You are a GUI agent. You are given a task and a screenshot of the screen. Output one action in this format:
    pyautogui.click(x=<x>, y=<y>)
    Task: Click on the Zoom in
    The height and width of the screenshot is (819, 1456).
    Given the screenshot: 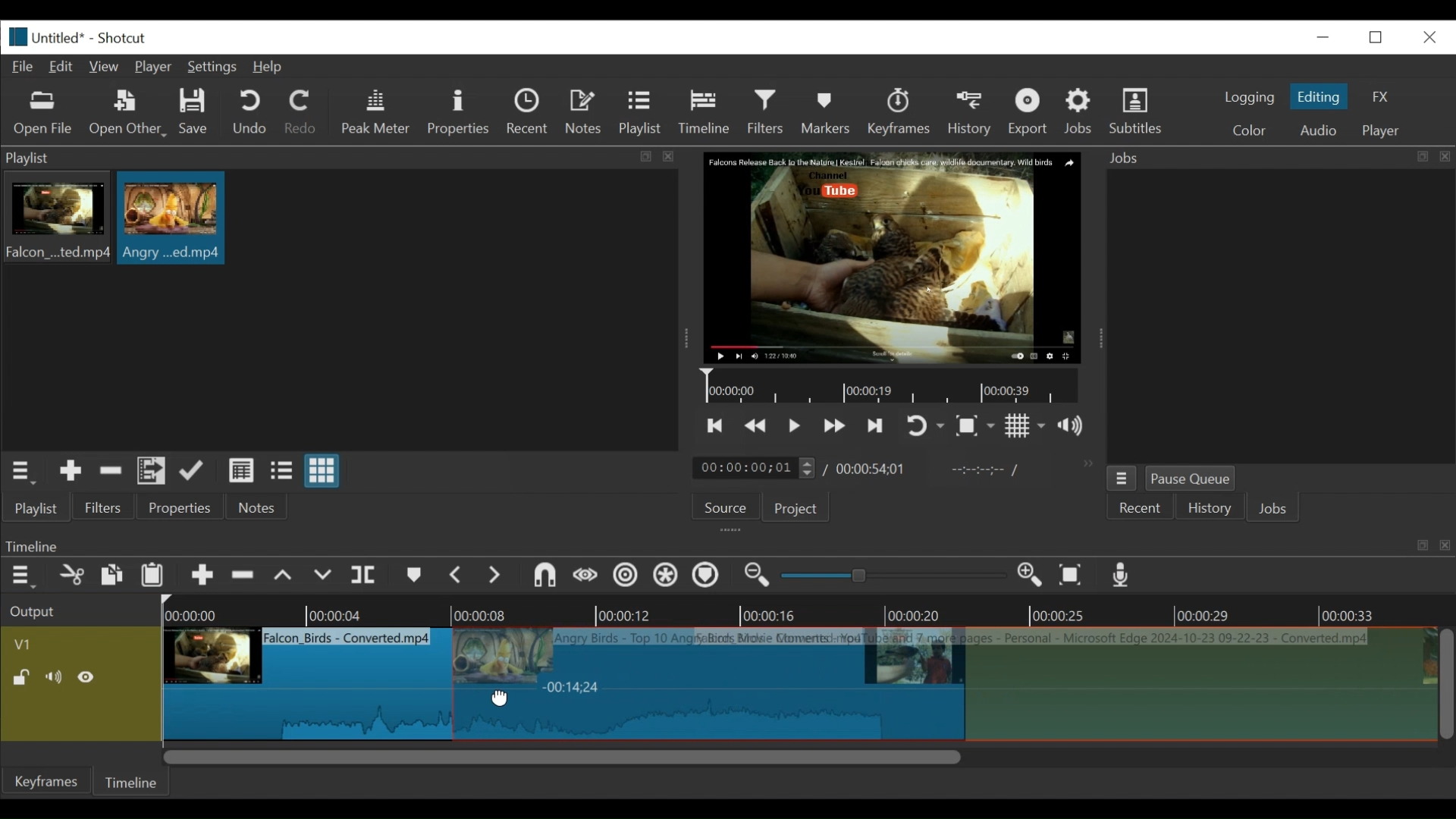 What is the action you would take?
    pyautogui.click(x=1032, y=576)
    